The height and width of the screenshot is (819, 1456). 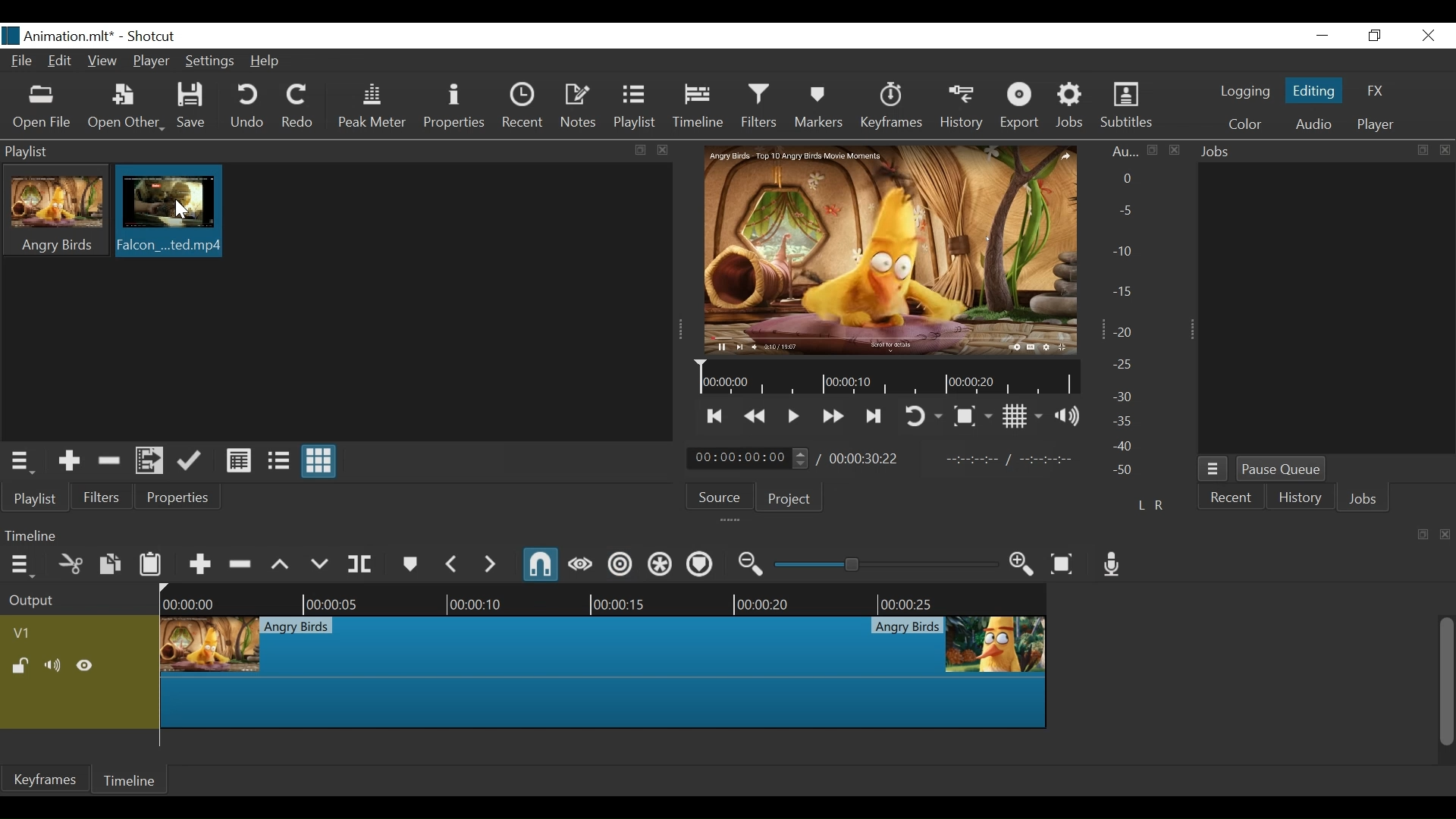 I want to click on Jobs Menu, so click(x=1214, y=470).